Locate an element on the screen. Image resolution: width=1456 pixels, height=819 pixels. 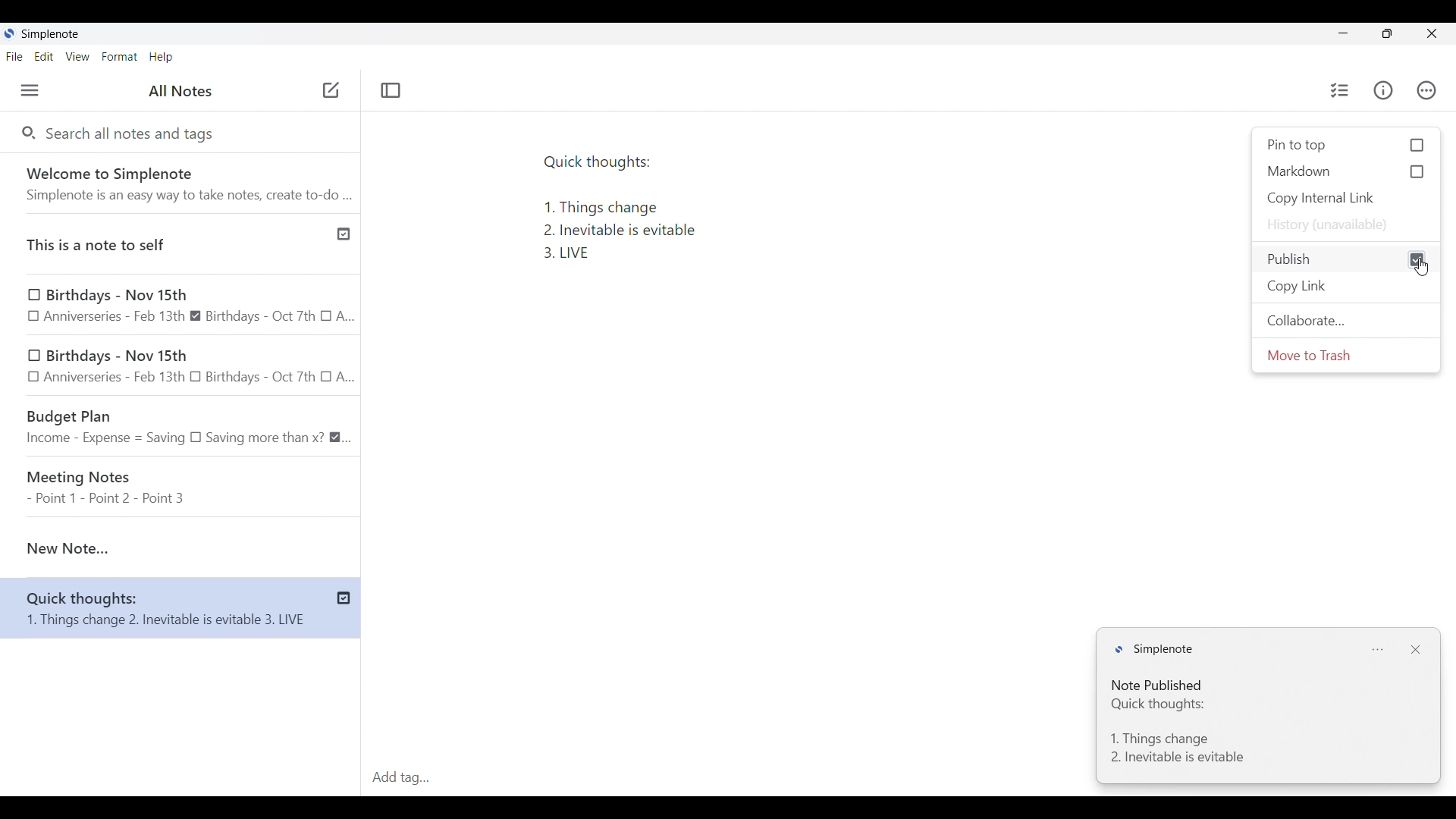
Click to type in tags is located at coordinates (410, 775).